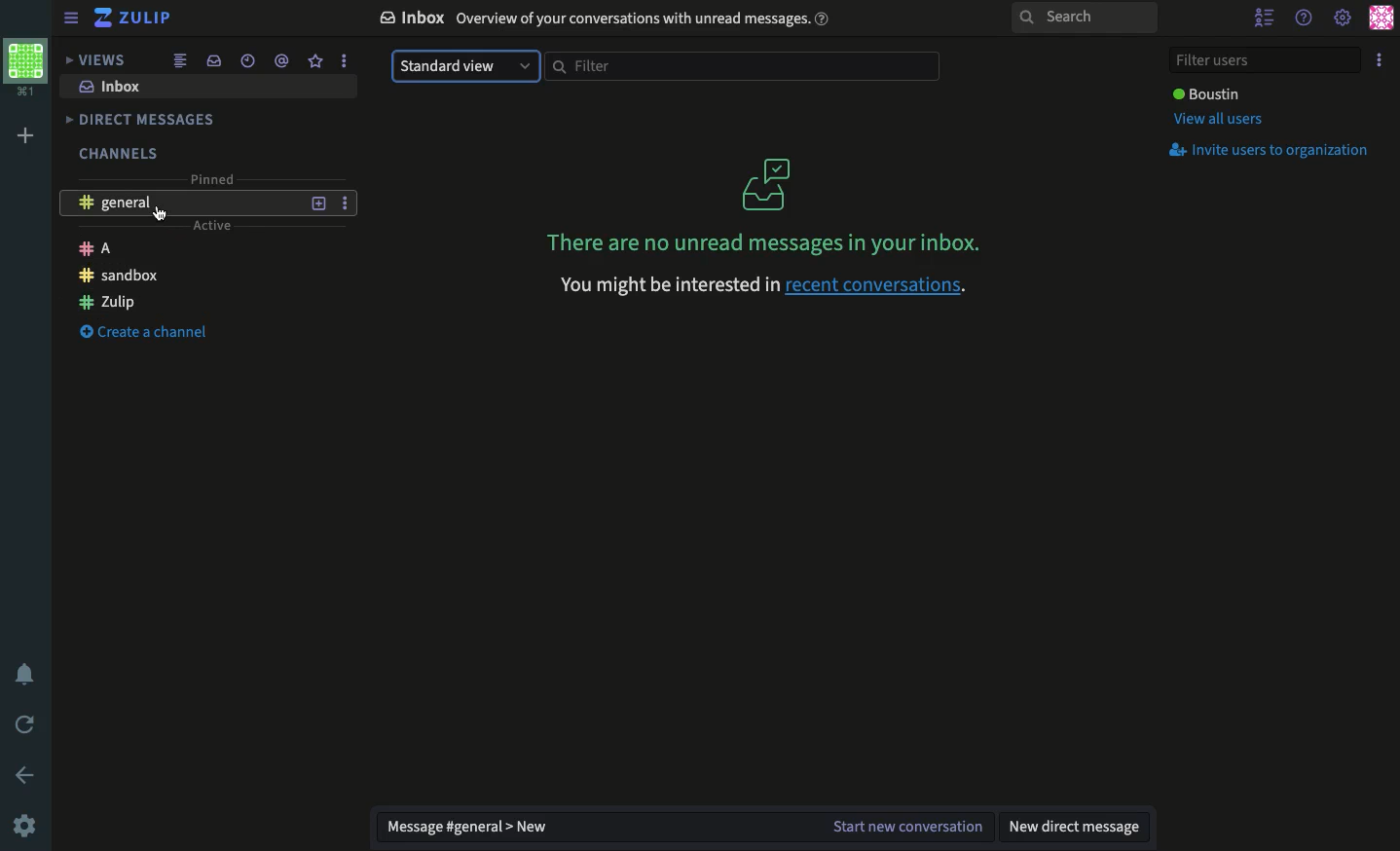  I want to click on Settings, so click(27, 825).